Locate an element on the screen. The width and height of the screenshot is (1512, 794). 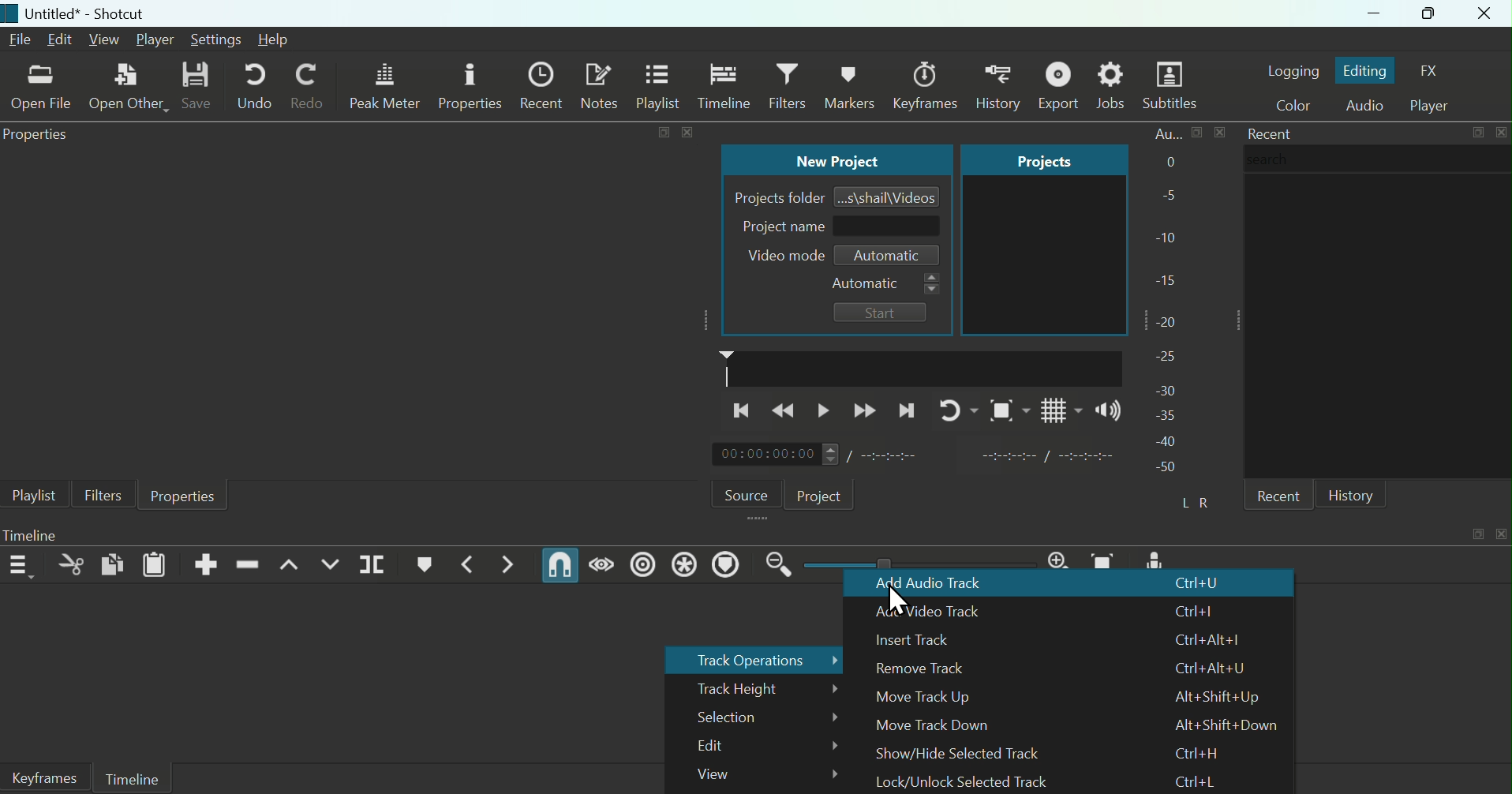
in point is located at coordinates (1041, 458).